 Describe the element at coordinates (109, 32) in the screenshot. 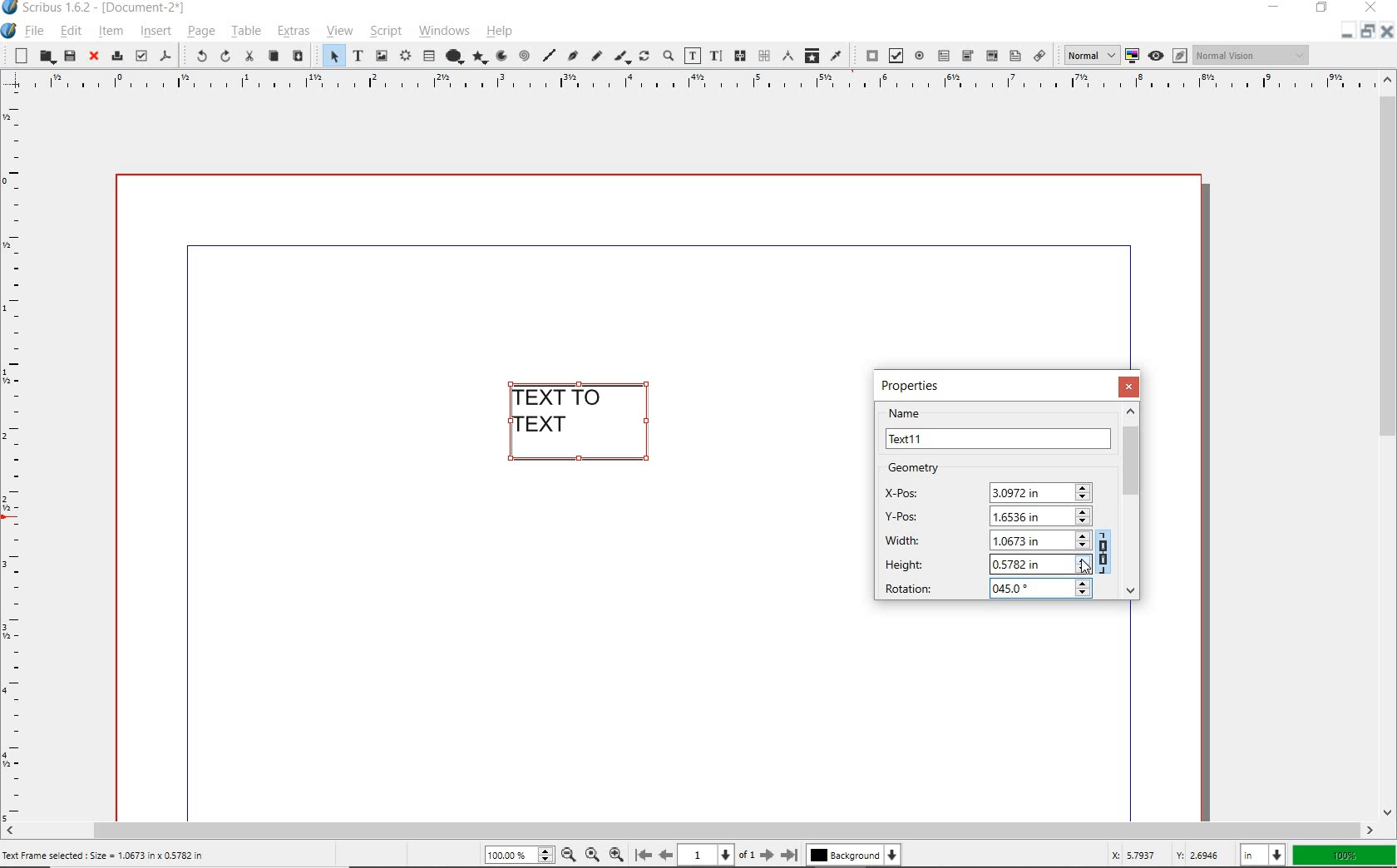

I see `item` at that location.